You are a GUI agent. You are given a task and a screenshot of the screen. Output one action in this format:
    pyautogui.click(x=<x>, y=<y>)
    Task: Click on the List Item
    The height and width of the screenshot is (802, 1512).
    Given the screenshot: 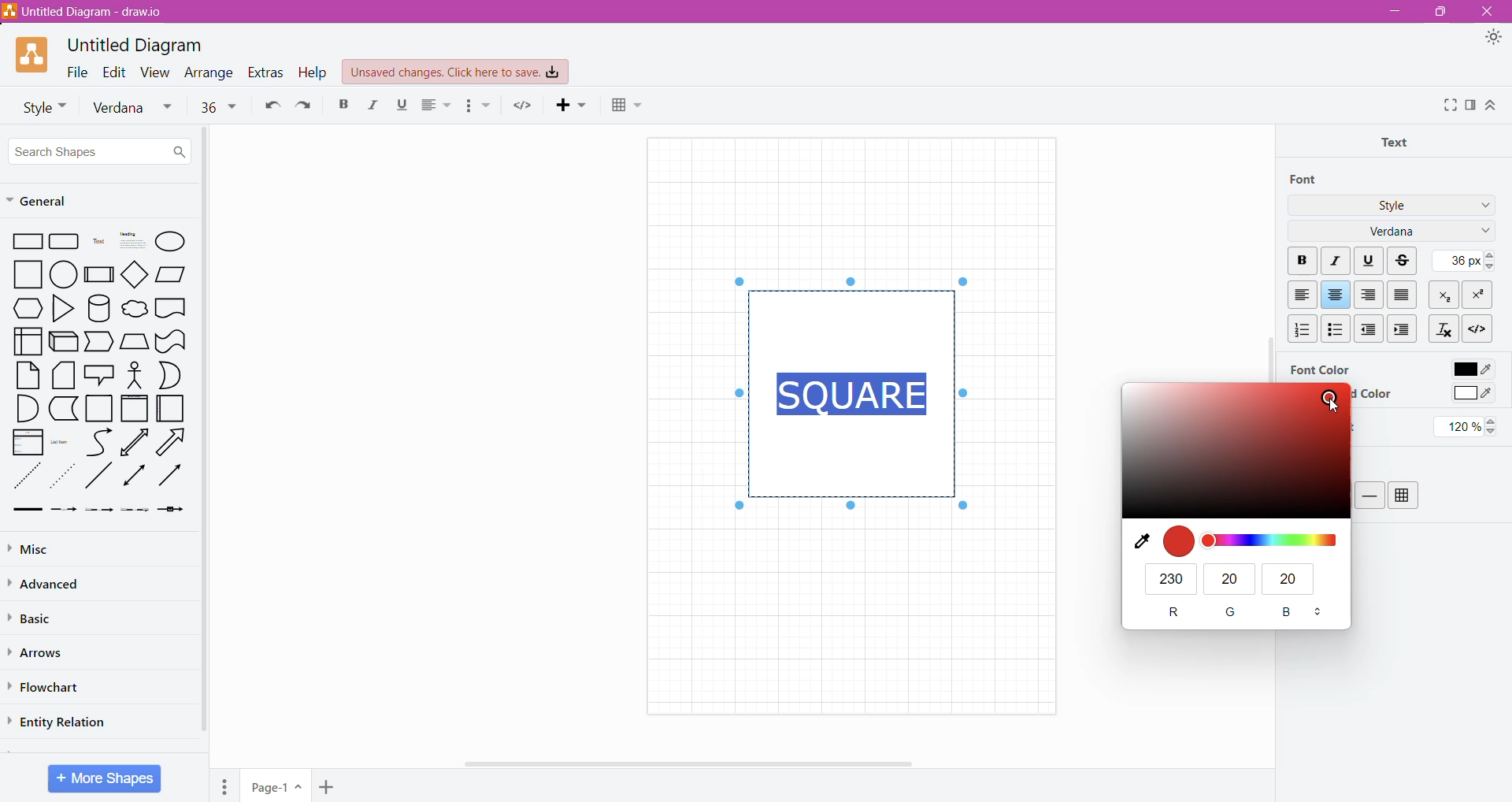 What is the action you would take?
    pyautogui.click(x=63, y=441)
    